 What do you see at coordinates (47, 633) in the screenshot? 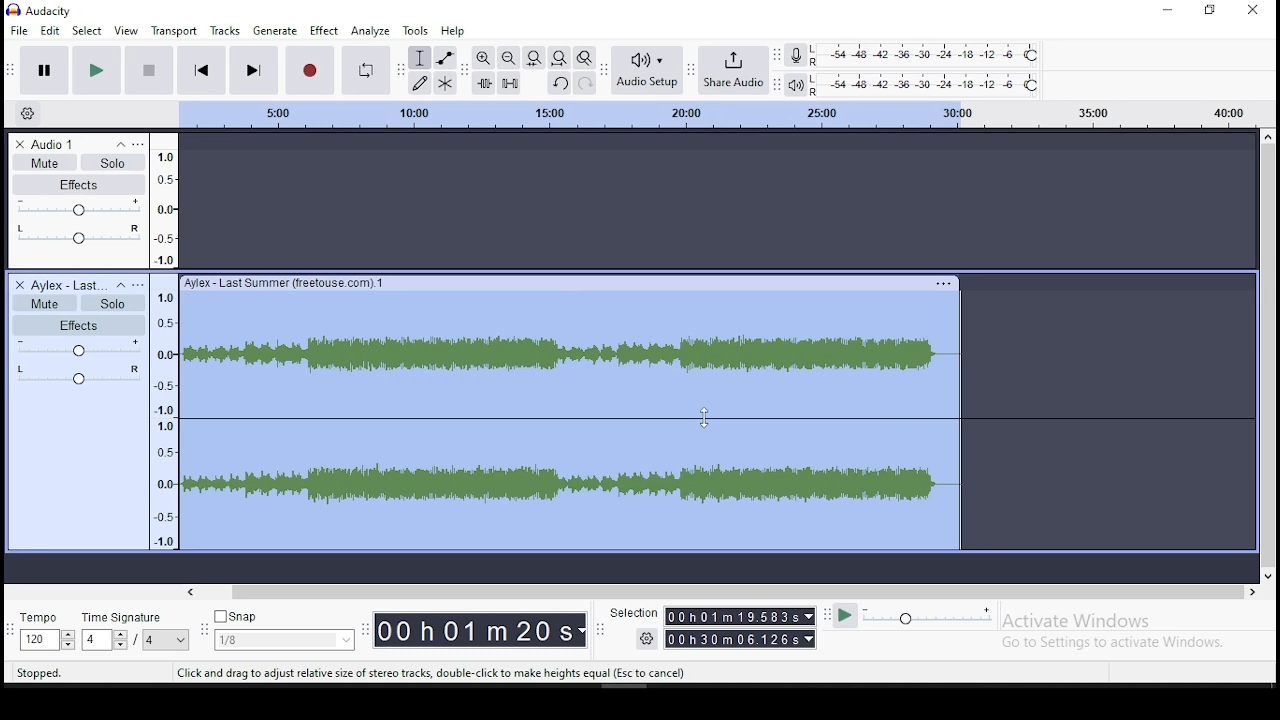
I see `tempo` at bounding box center [47, 633].